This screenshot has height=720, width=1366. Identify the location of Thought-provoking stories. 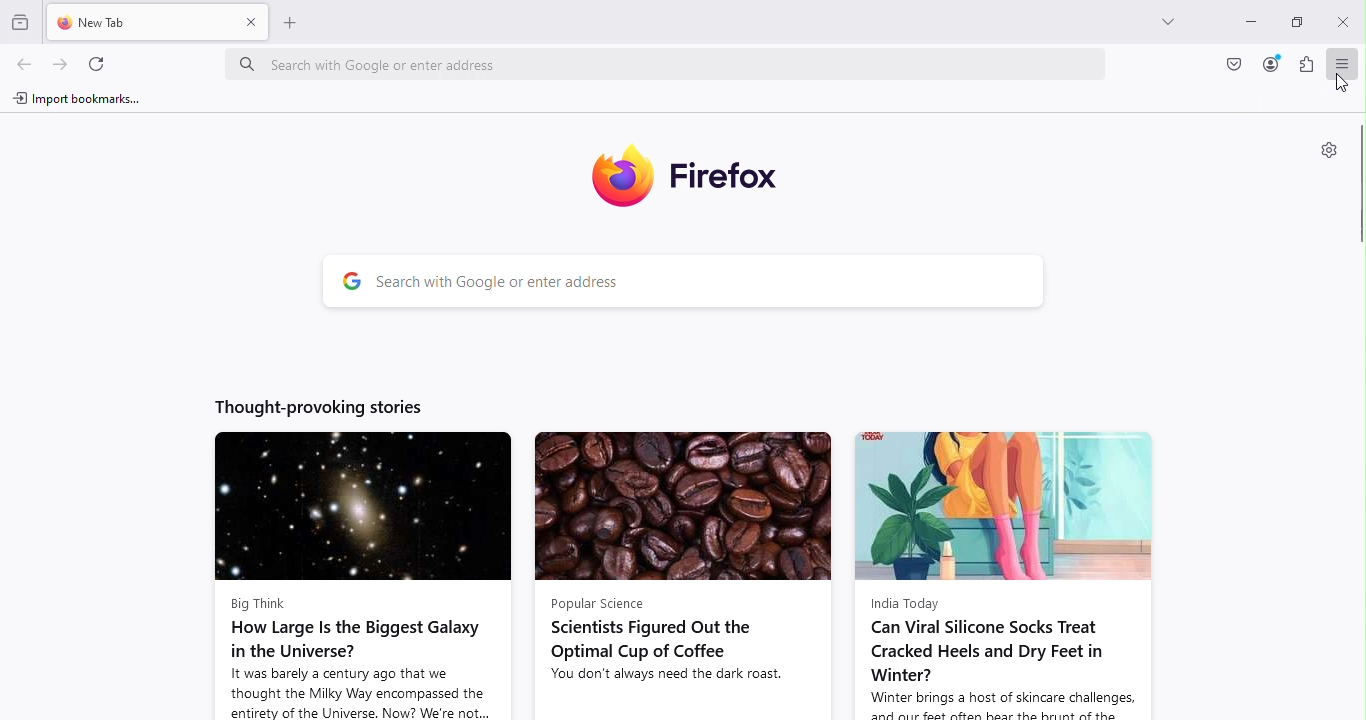
(324, 407).